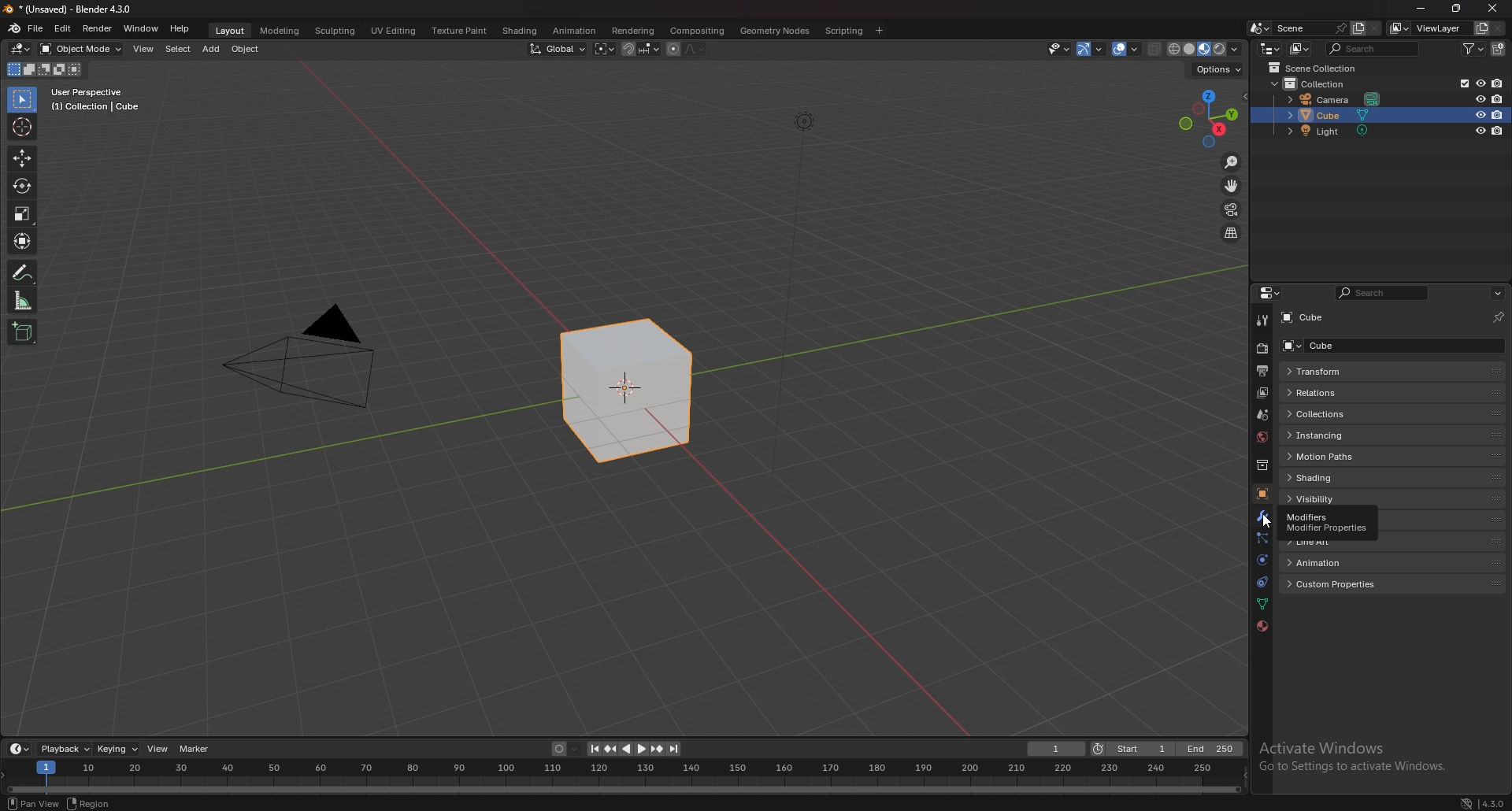 This screenshot has width=1512, height=811. What do you see at coordinates (1057, 749) in the screenshot?
I see `current frame` at bounding box center [1057, 749].